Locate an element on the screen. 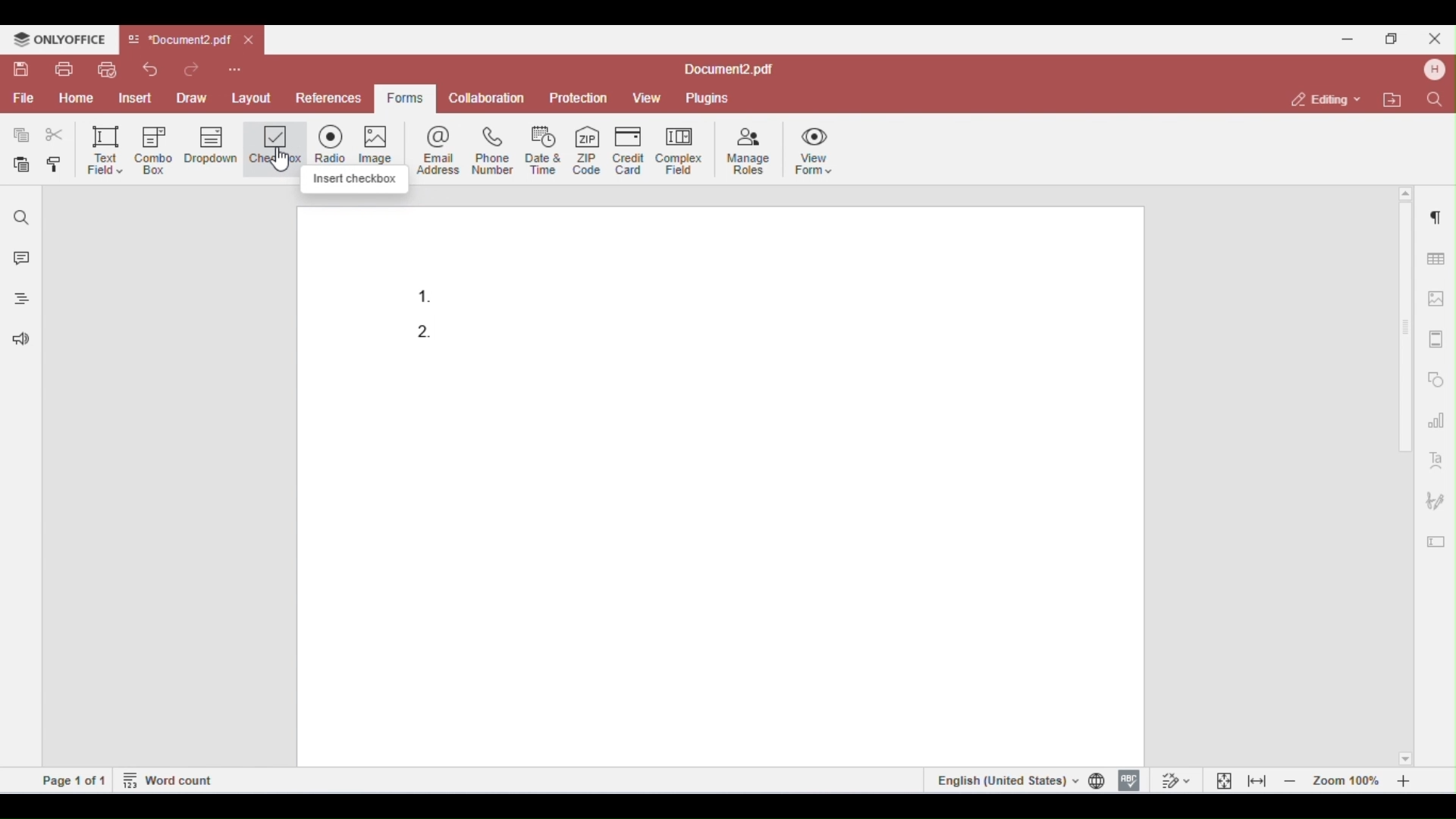 The height and width of the screenshot is (819, 1456). fit to width is located at coordinates (1257, 780).